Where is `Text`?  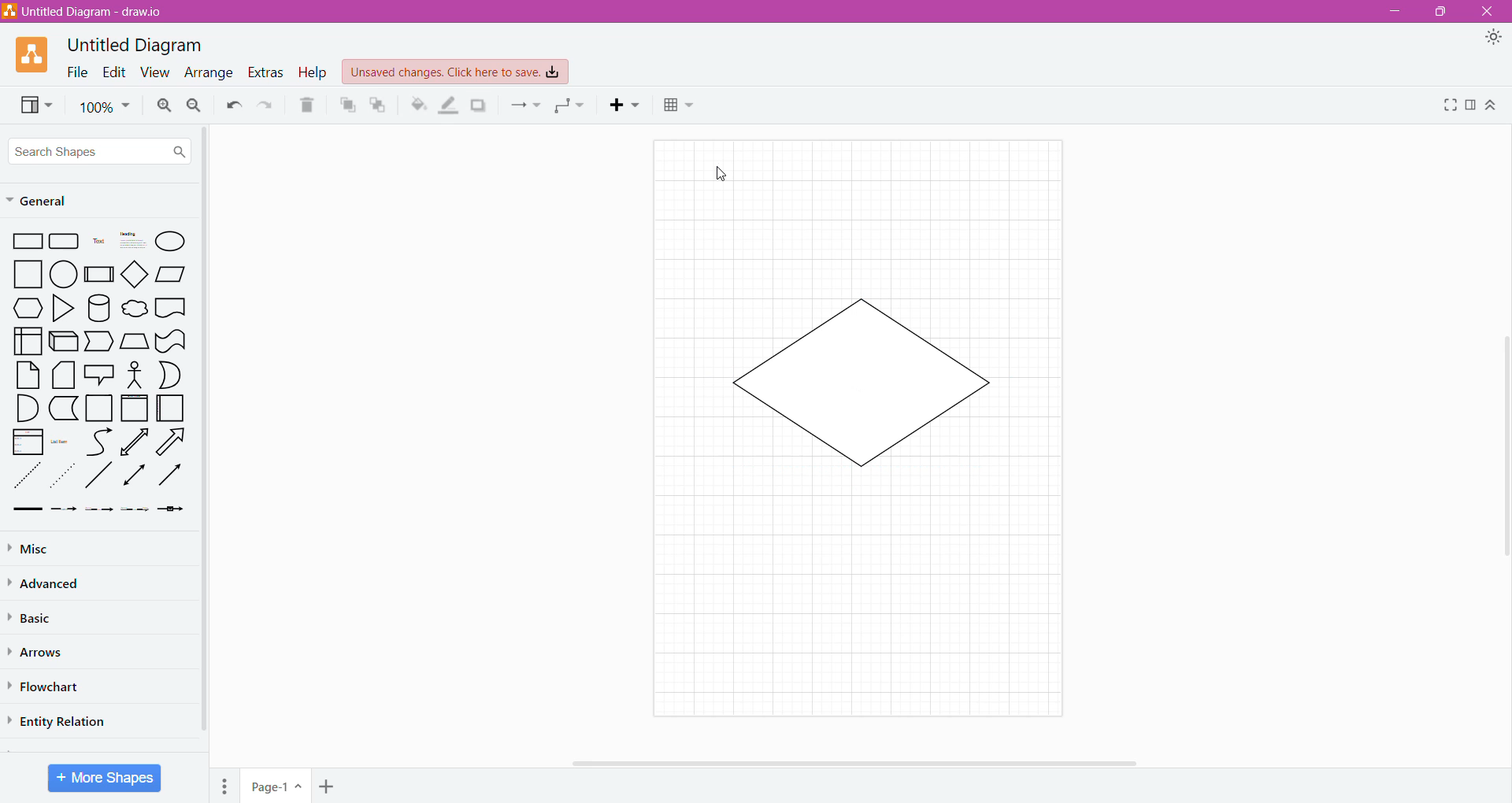 Text is located at coordinates (98, 242).